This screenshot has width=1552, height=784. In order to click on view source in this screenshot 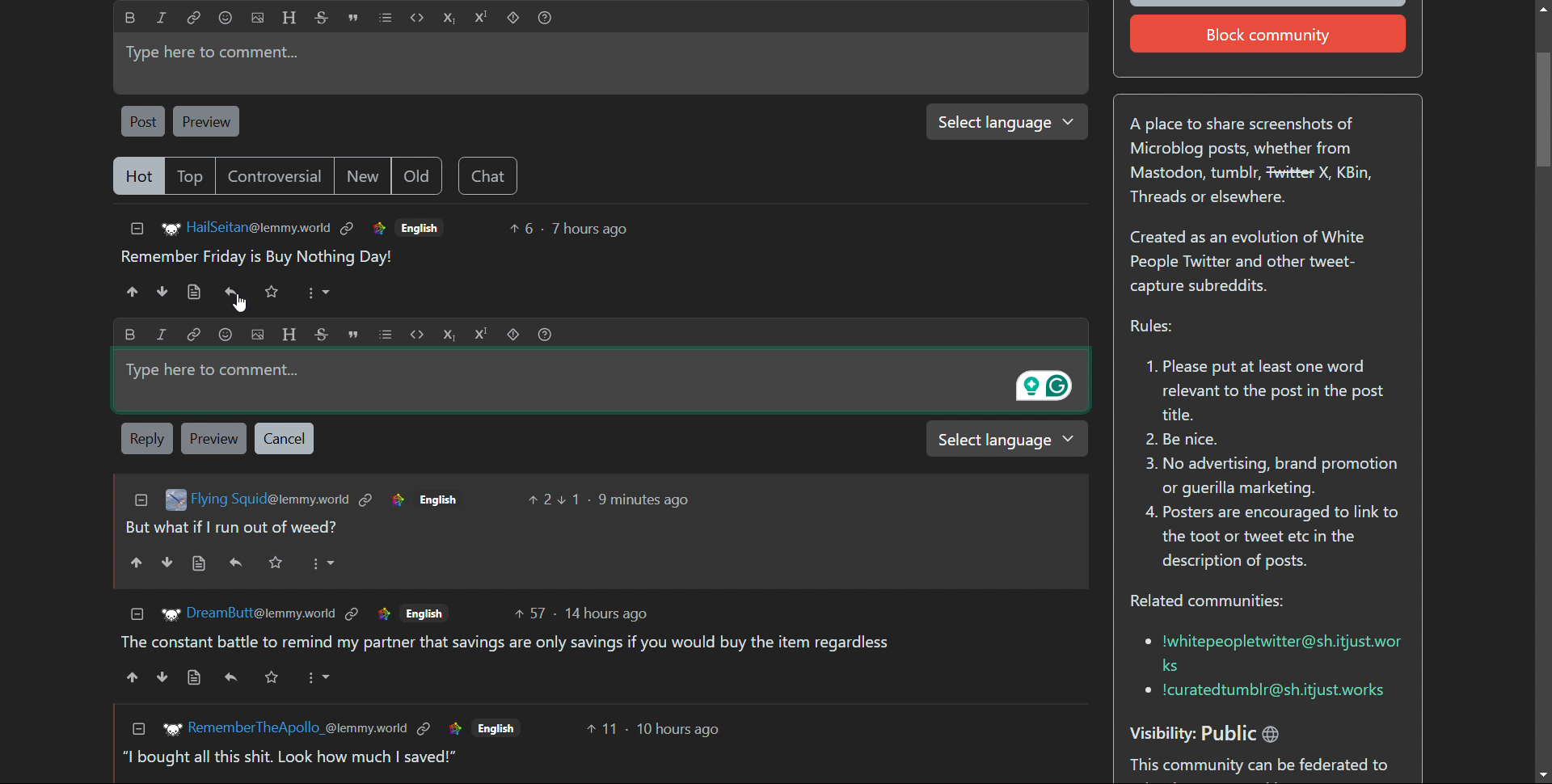, I will do `click(200, 565)`.